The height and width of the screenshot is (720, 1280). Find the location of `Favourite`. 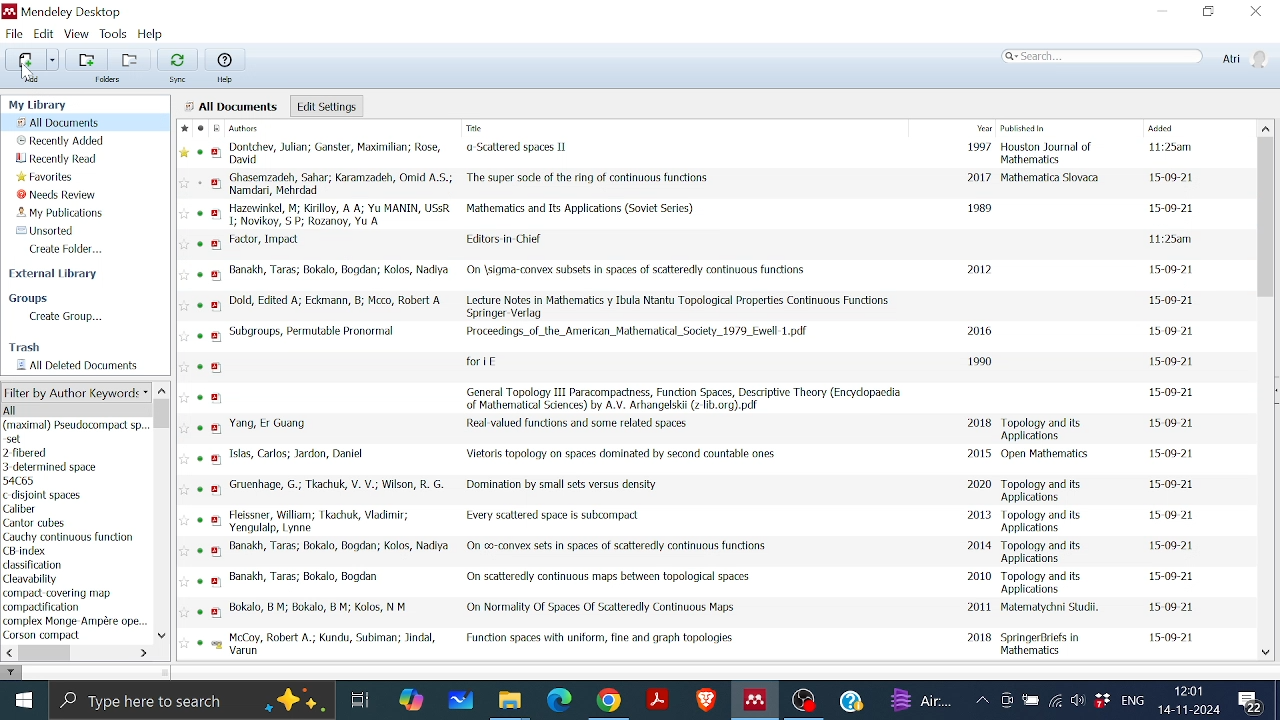

Favourite is located at coordinates (184, 397).